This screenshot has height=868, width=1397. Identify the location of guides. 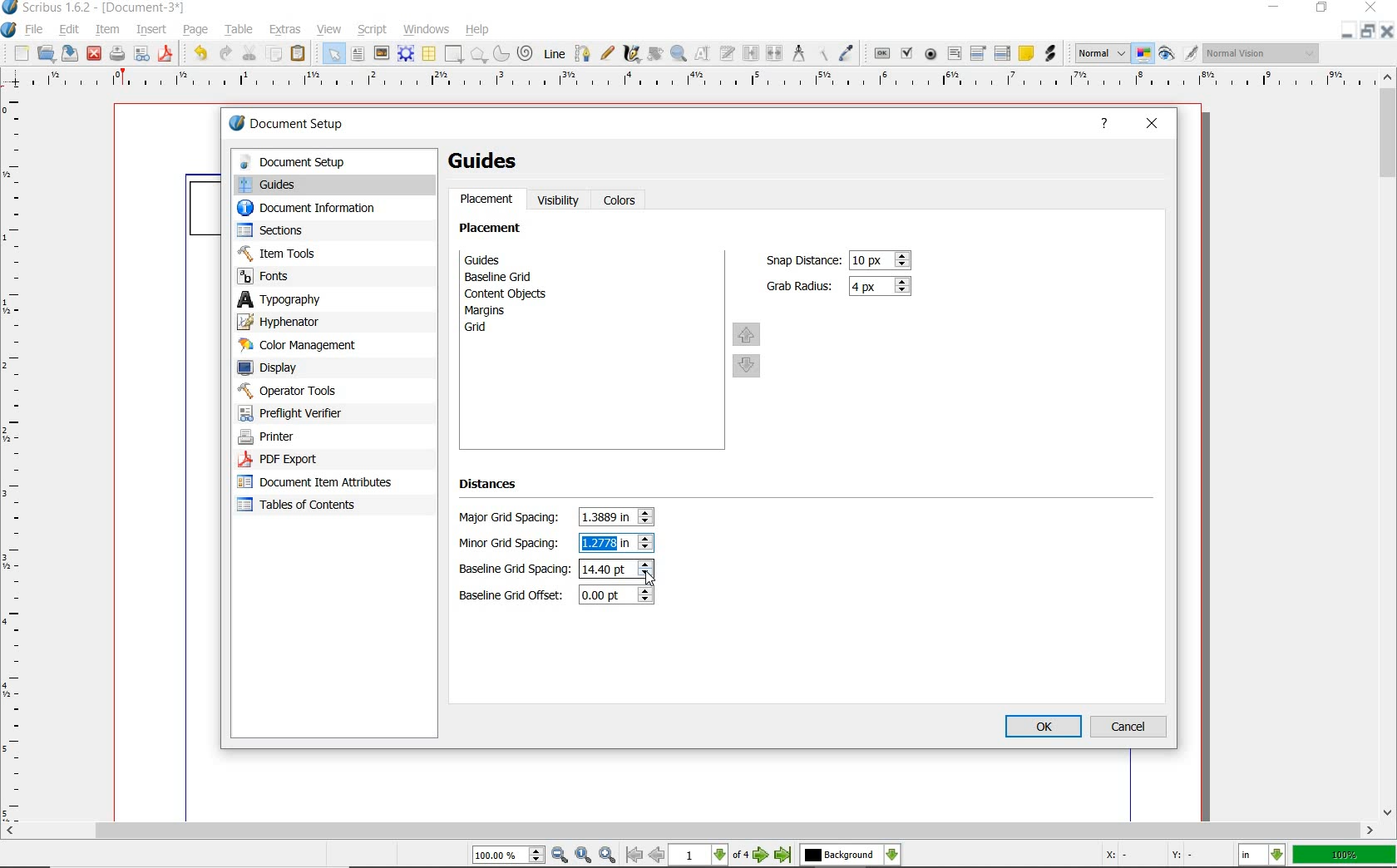
(512, 259).